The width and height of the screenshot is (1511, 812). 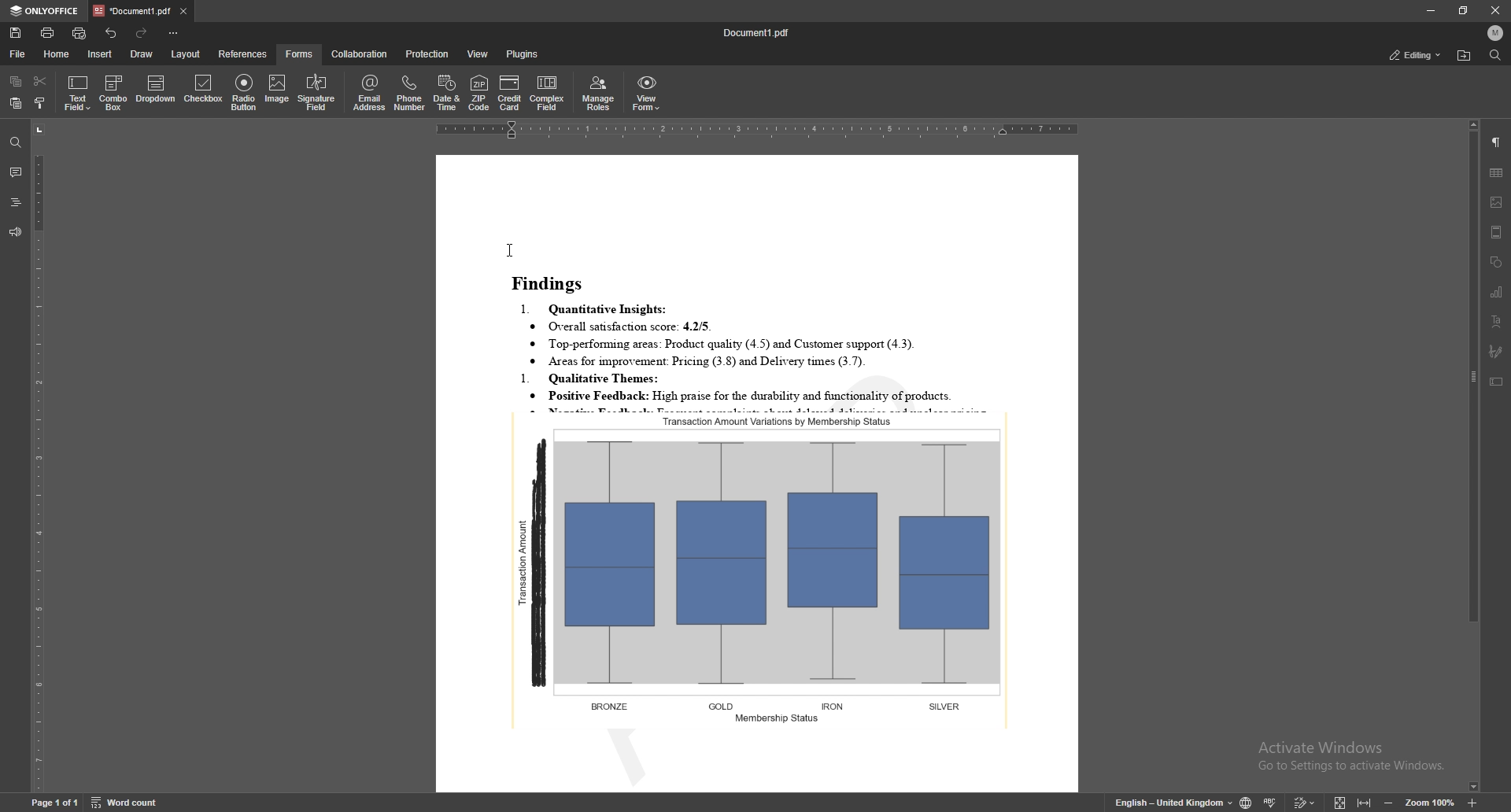 I want to click on file name, so click(x=760, y=32).